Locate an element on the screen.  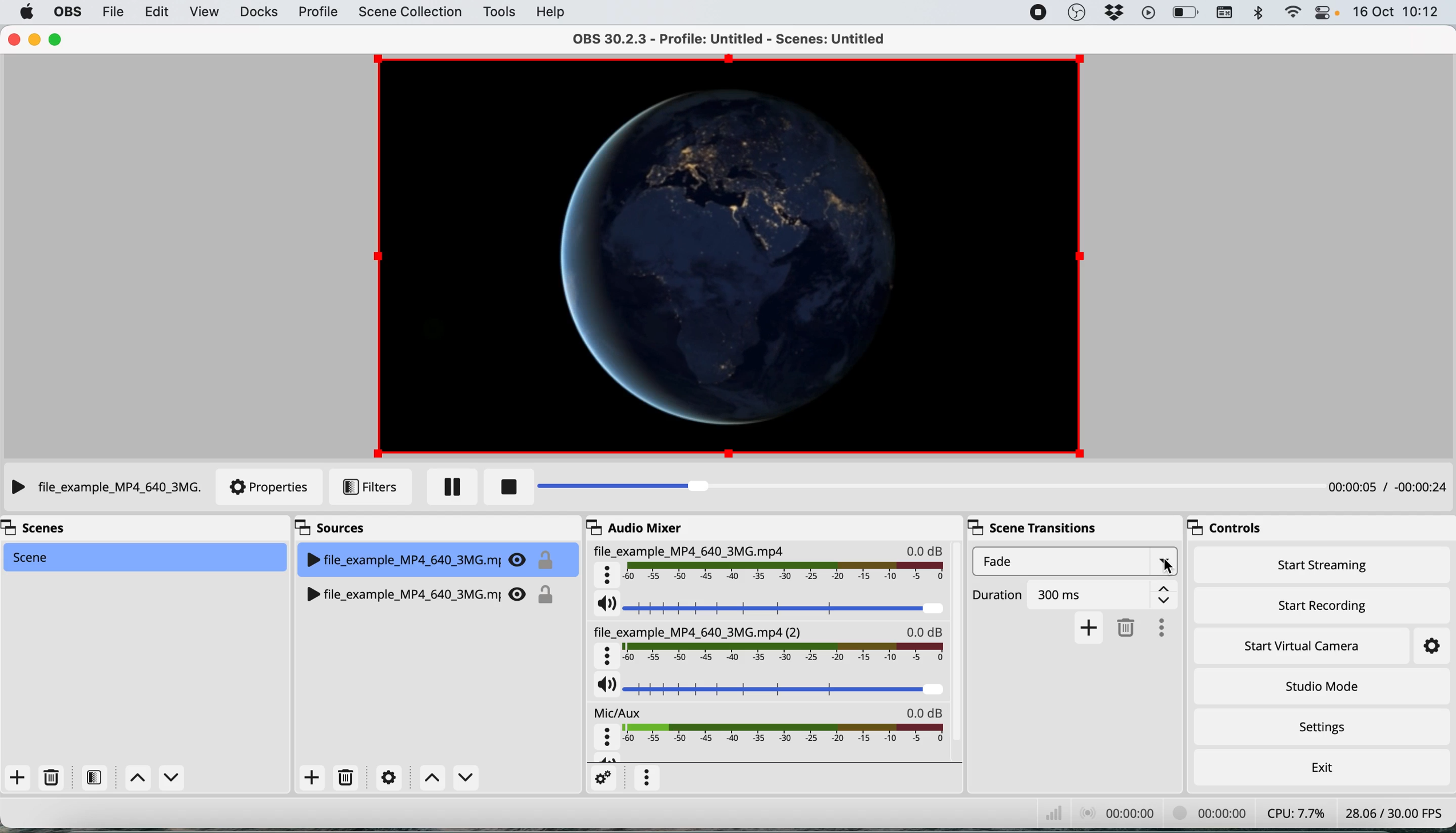
File_example_MP4_640_3MG. is located at coordinates (110, 489).